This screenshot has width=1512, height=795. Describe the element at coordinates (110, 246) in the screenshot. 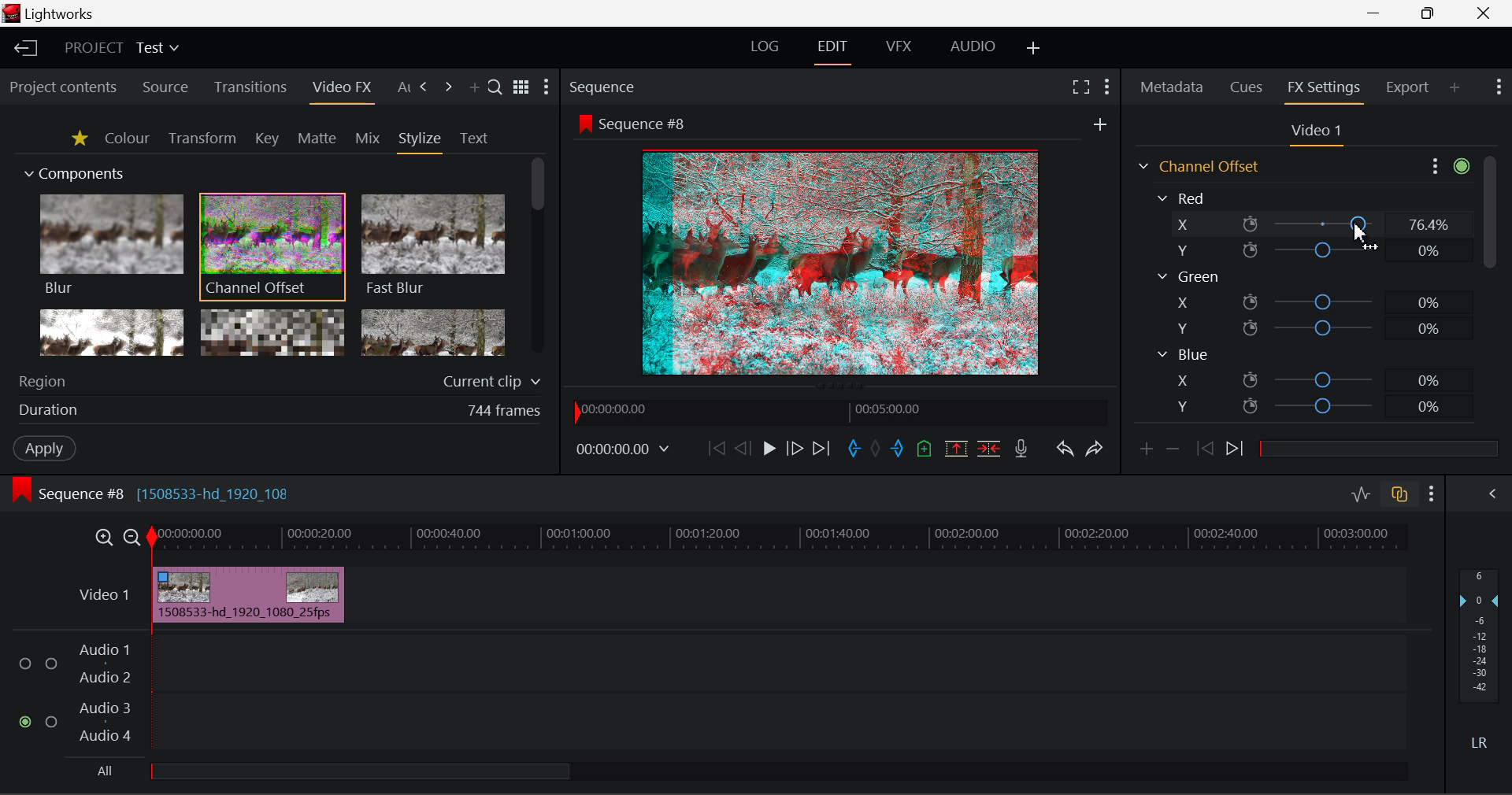

I see `Blur` at that location.